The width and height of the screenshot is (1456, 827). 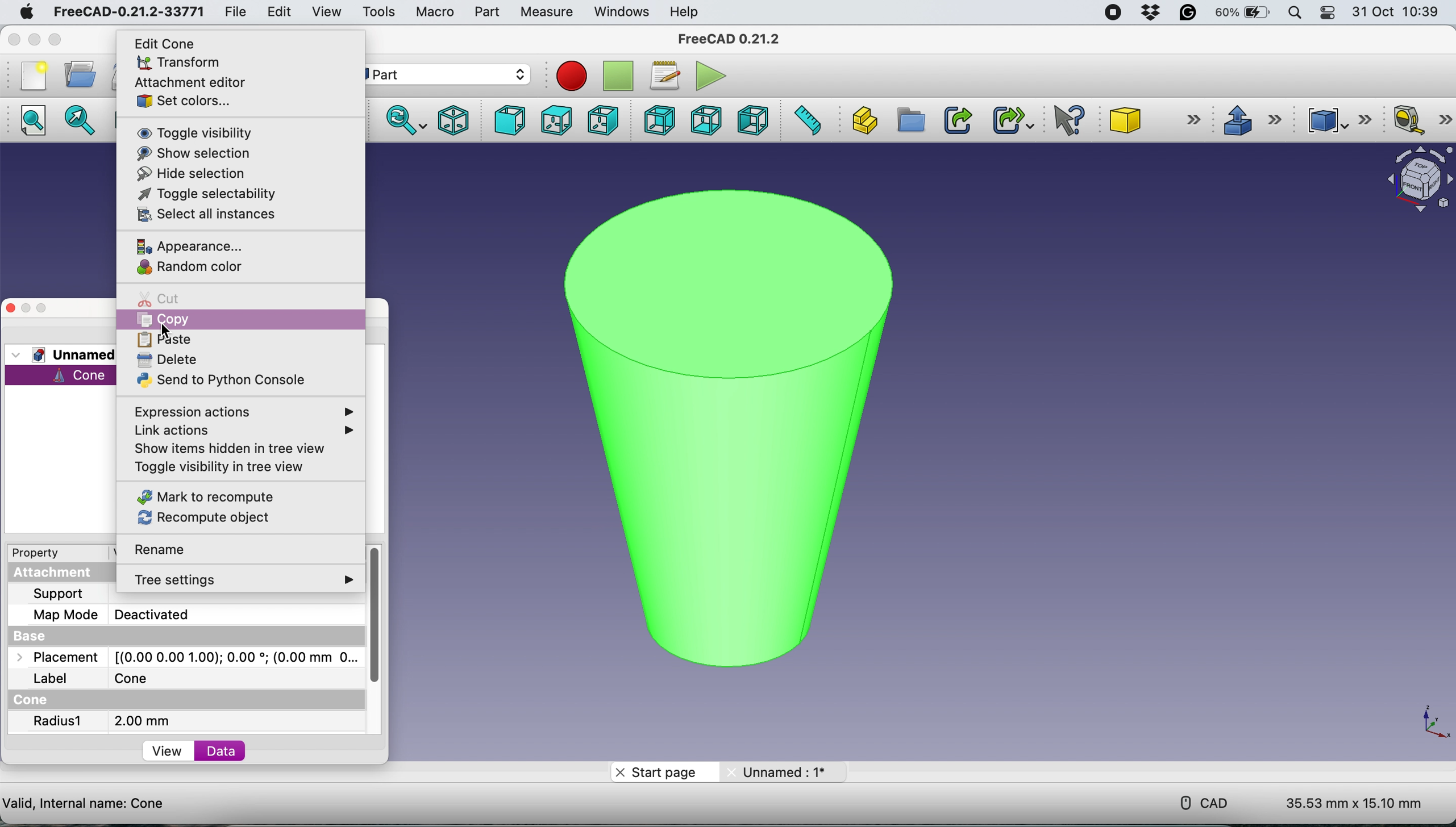 I want to click on fit all, so click(x=37, y=124).